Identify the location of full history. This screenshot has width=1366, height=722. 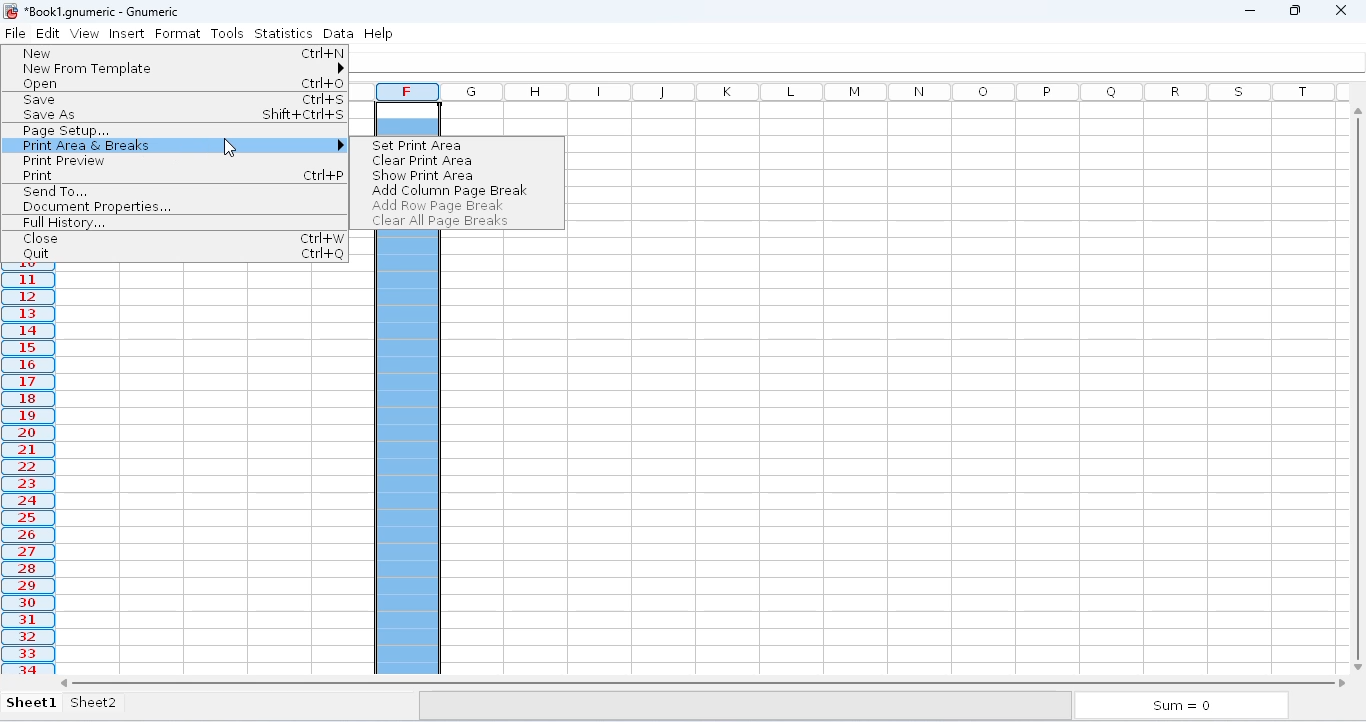
(64, 223).